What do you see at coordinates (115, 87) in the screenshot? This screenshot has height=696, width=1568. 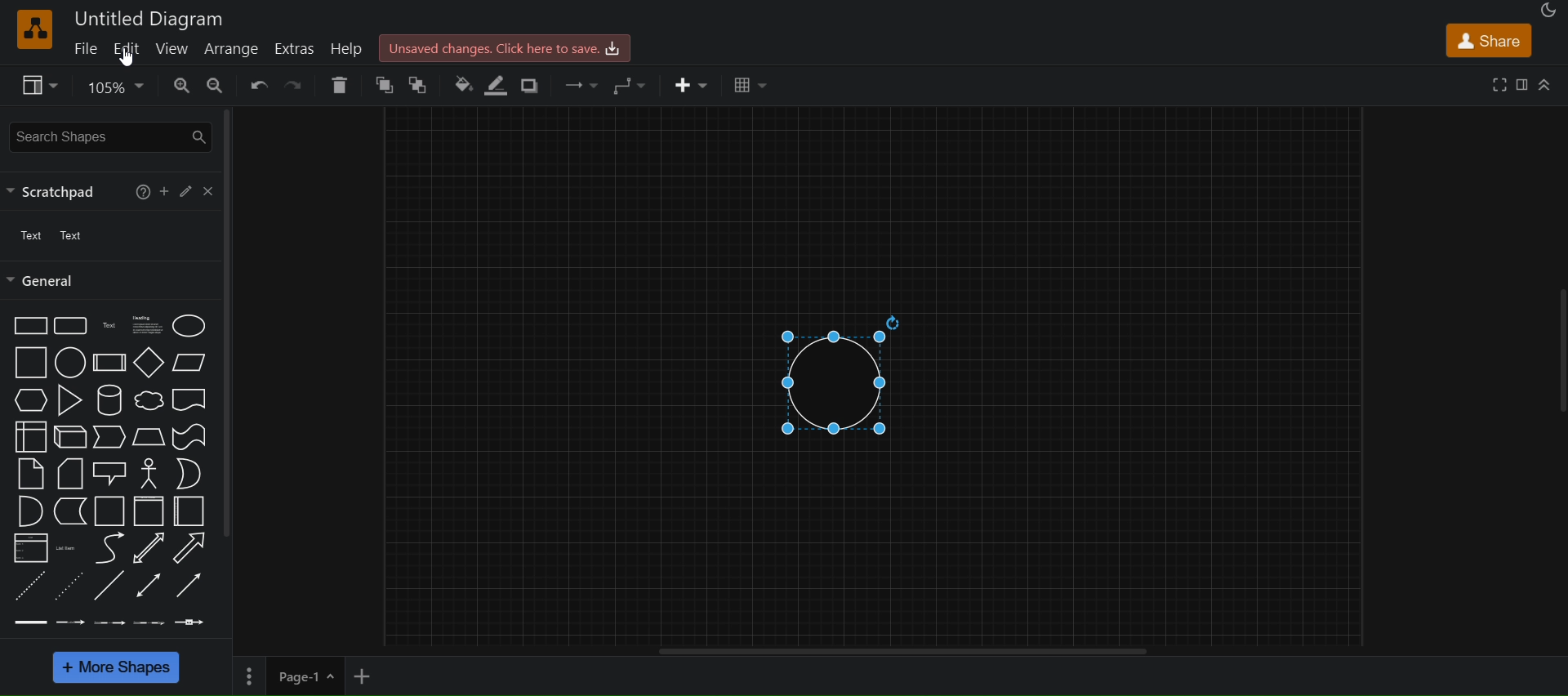 I see `zoom` at bounding box center [115, 87].